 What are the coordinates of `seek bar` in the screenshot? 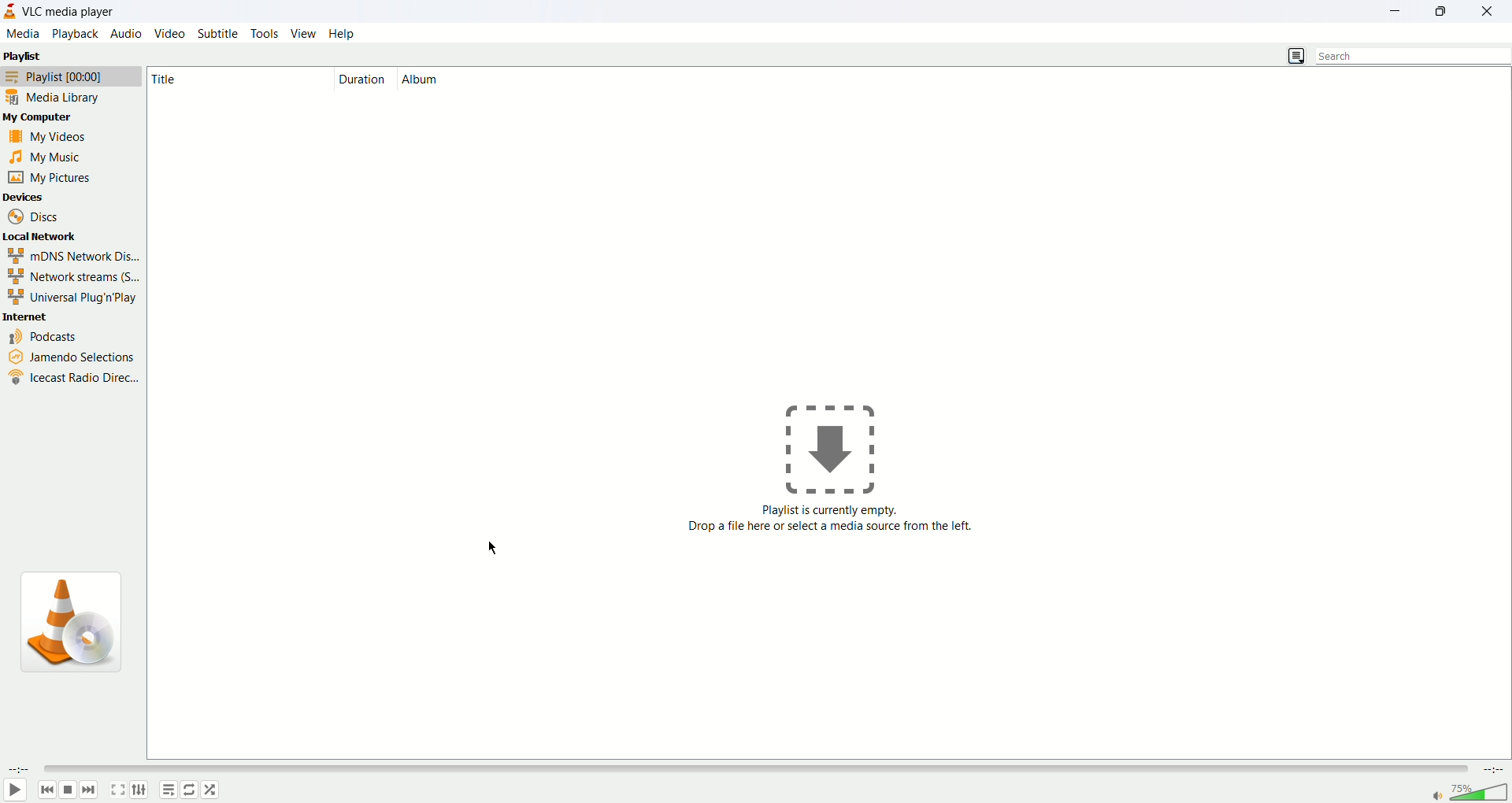 It's located at (754, 770).